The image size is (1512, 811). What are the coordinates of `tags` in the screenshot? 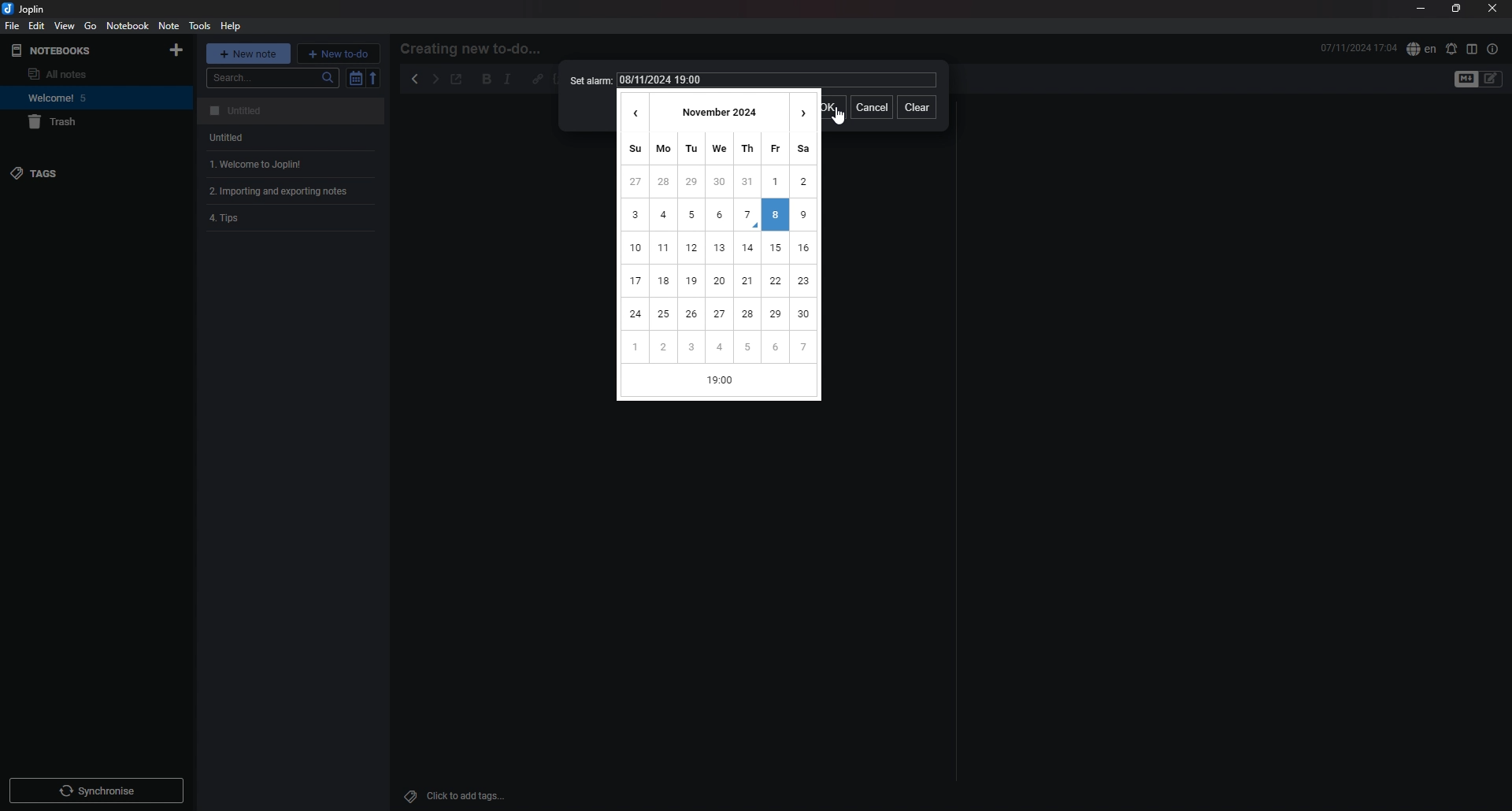 It's located at (74, 172).